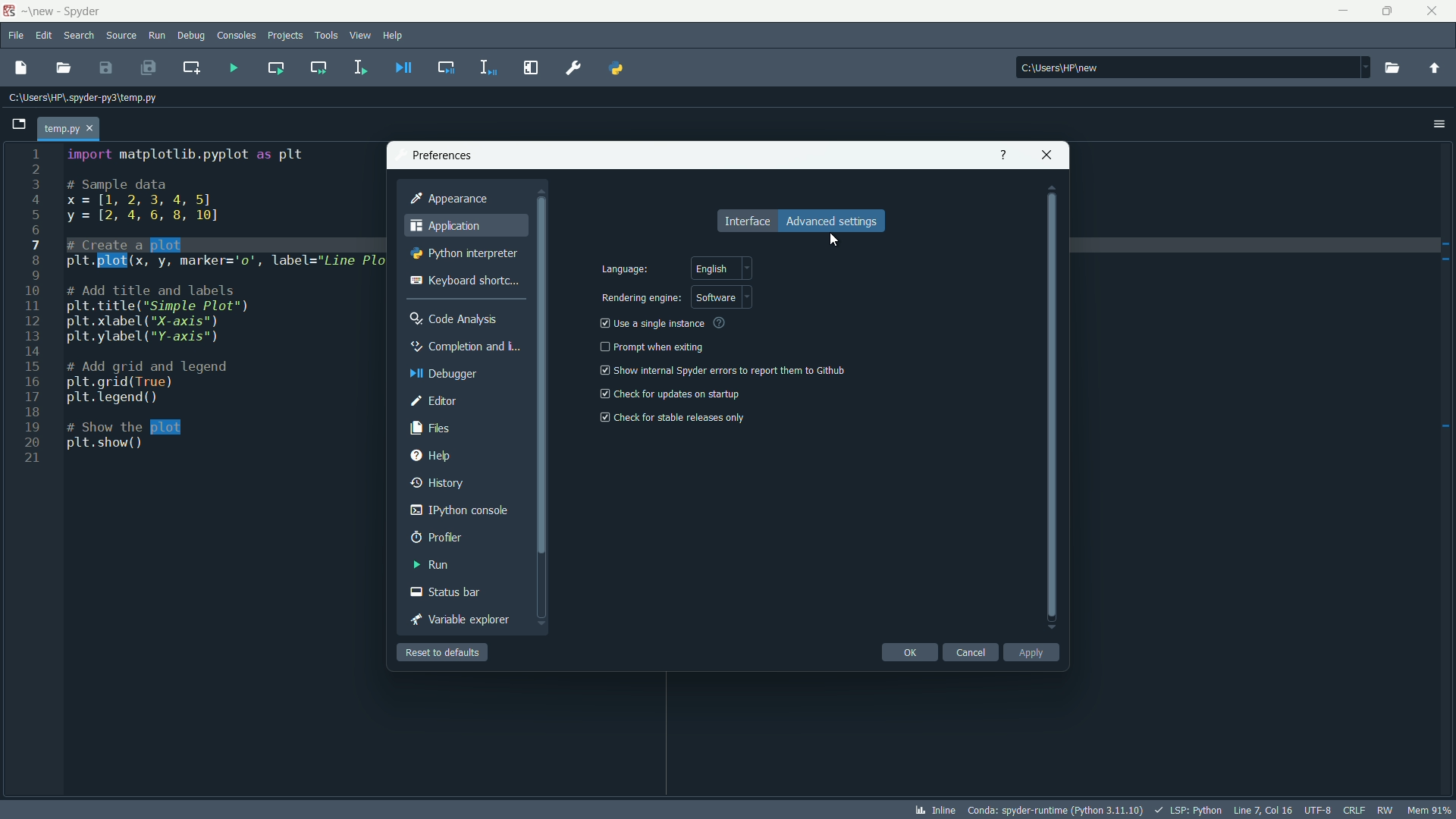  I want to click on check for stable release only, so click(681, 418).